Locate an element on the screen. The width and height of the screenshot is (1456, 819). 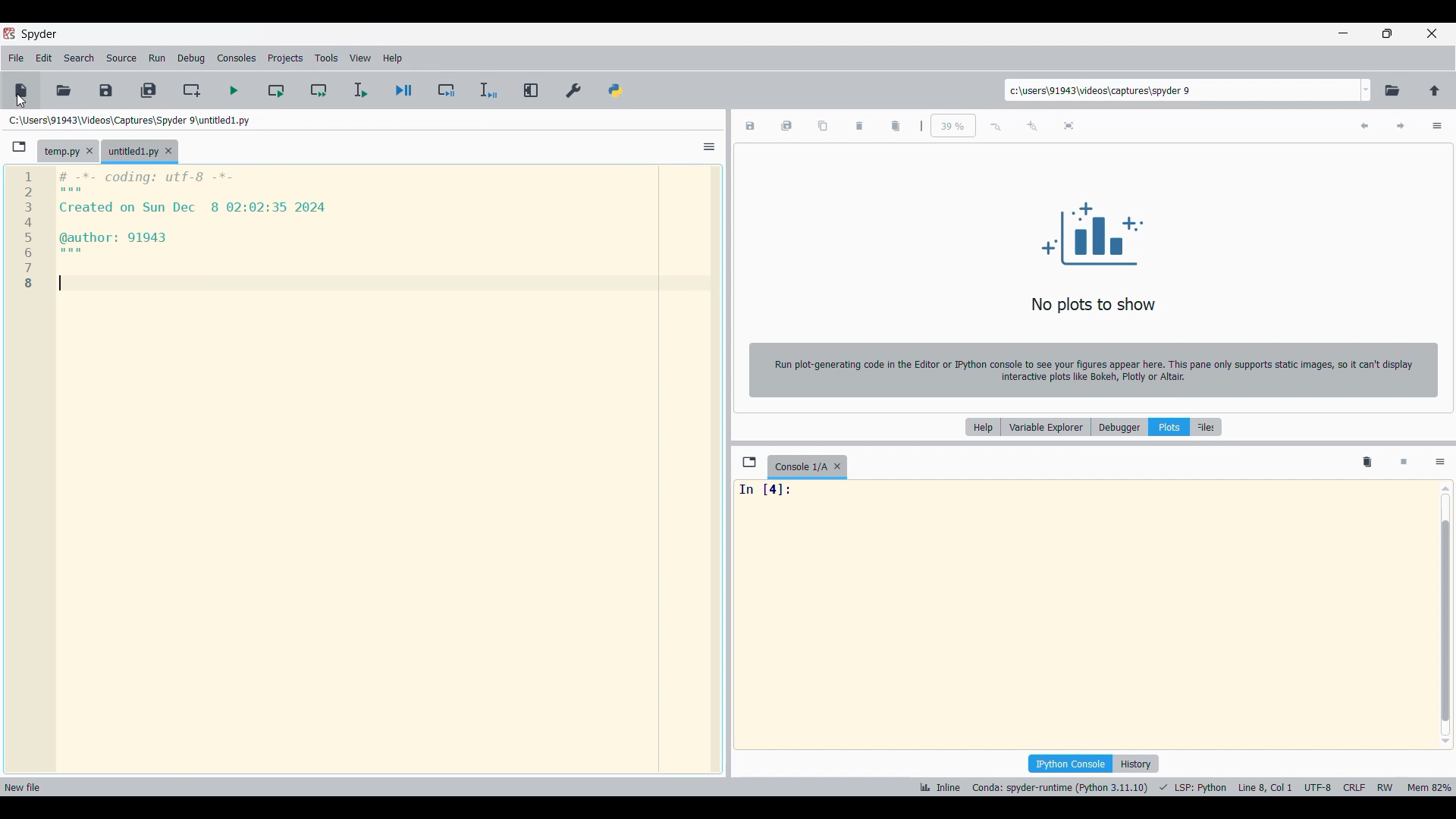
Help is located at coordinates (984, 427).